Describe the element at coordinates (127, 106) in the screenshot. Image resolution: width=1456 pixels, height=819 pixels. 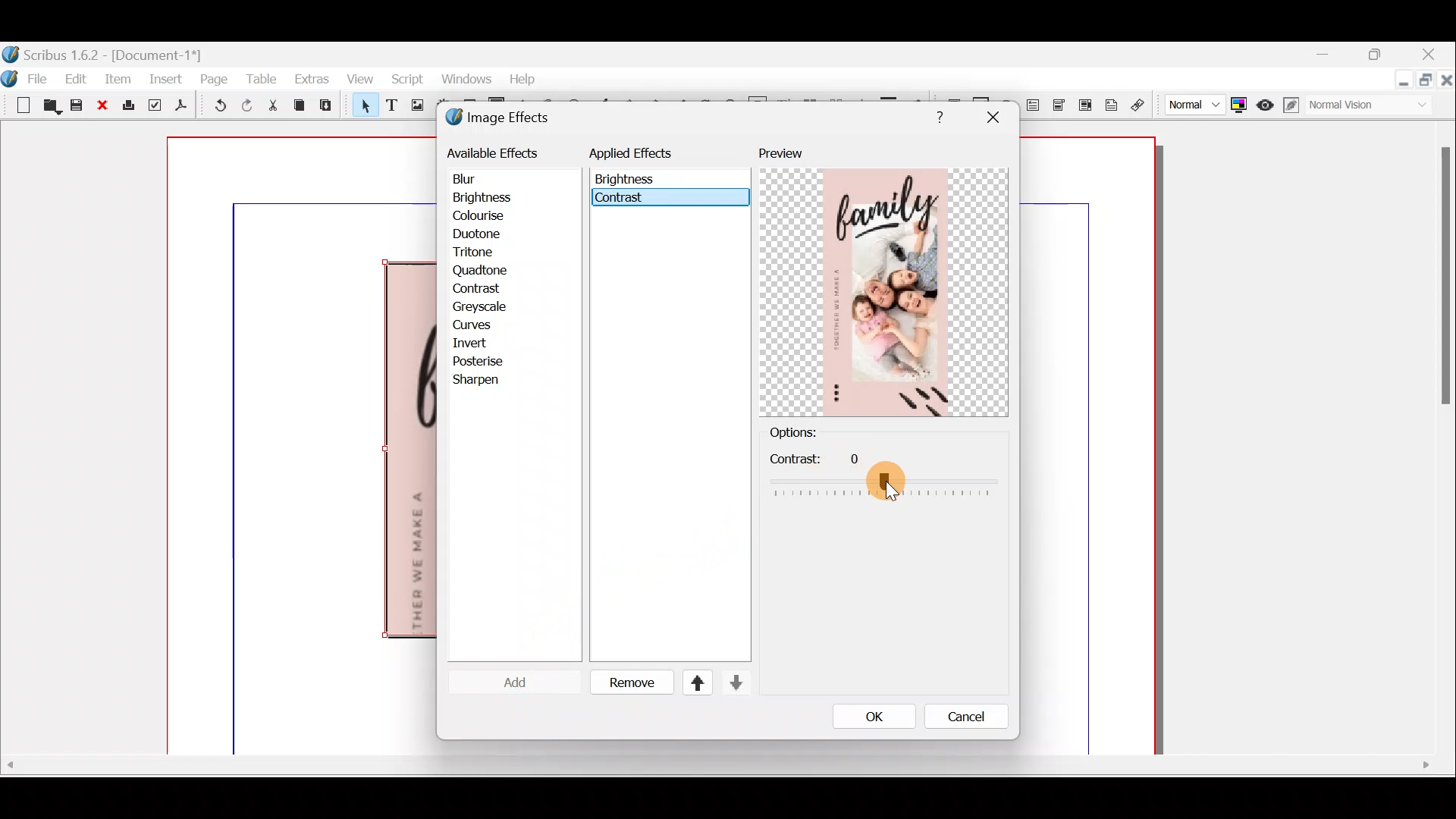
I see `Print` at that location.